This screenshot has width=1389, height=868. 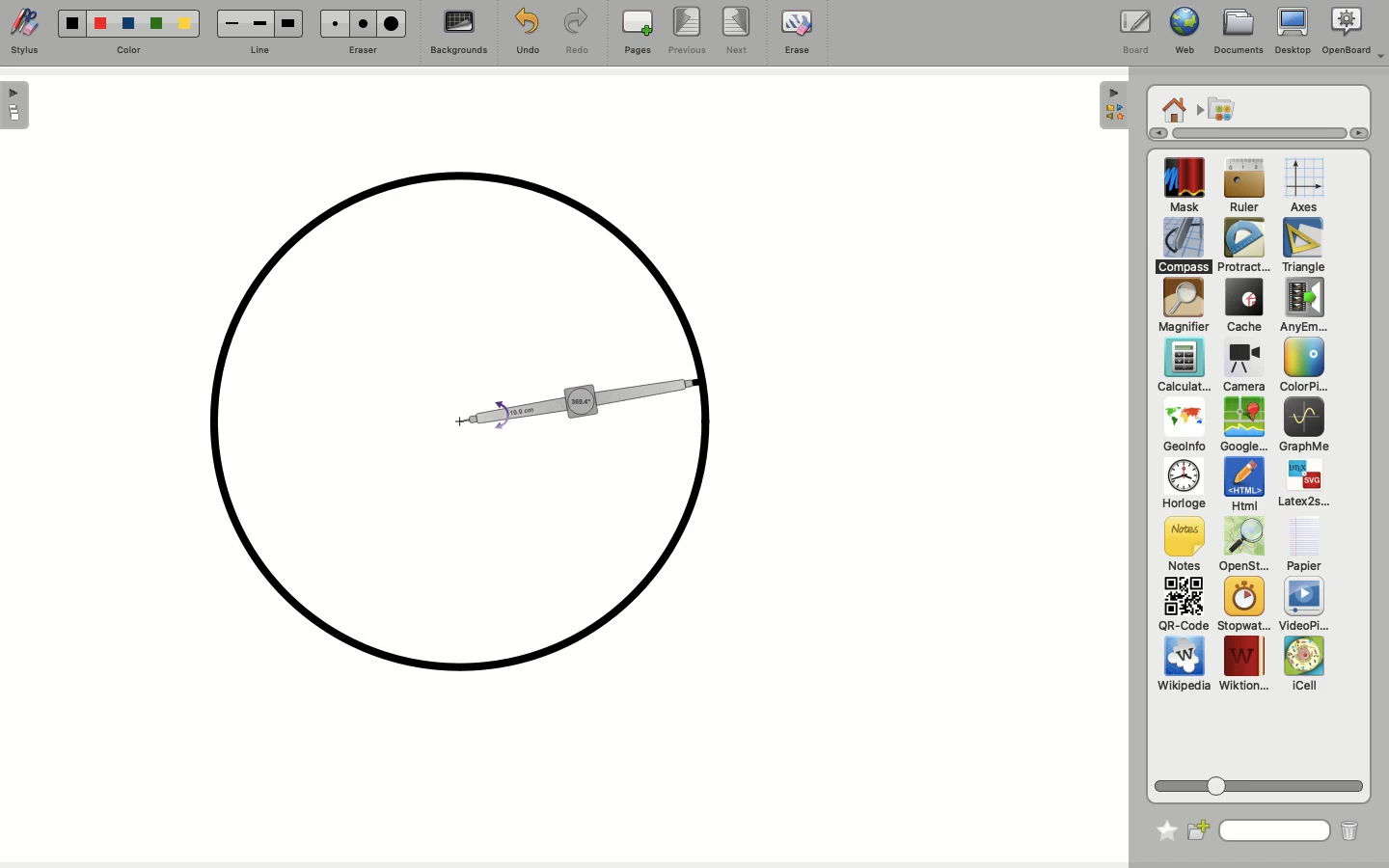 I want to click on GeoInfo, so click(x=1184, y=430).